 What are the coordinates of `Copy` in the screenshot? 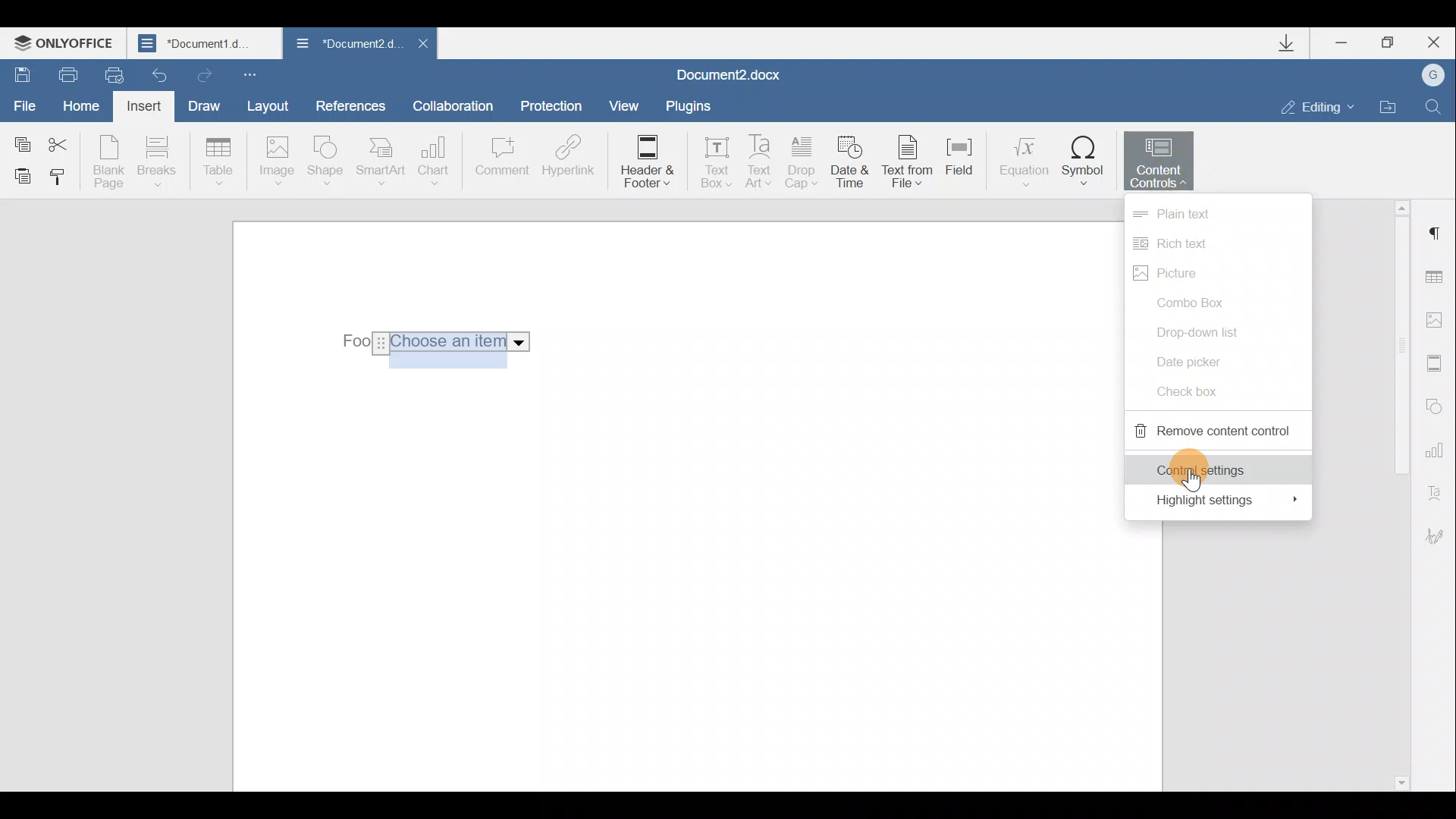 It's located at (21, 141).